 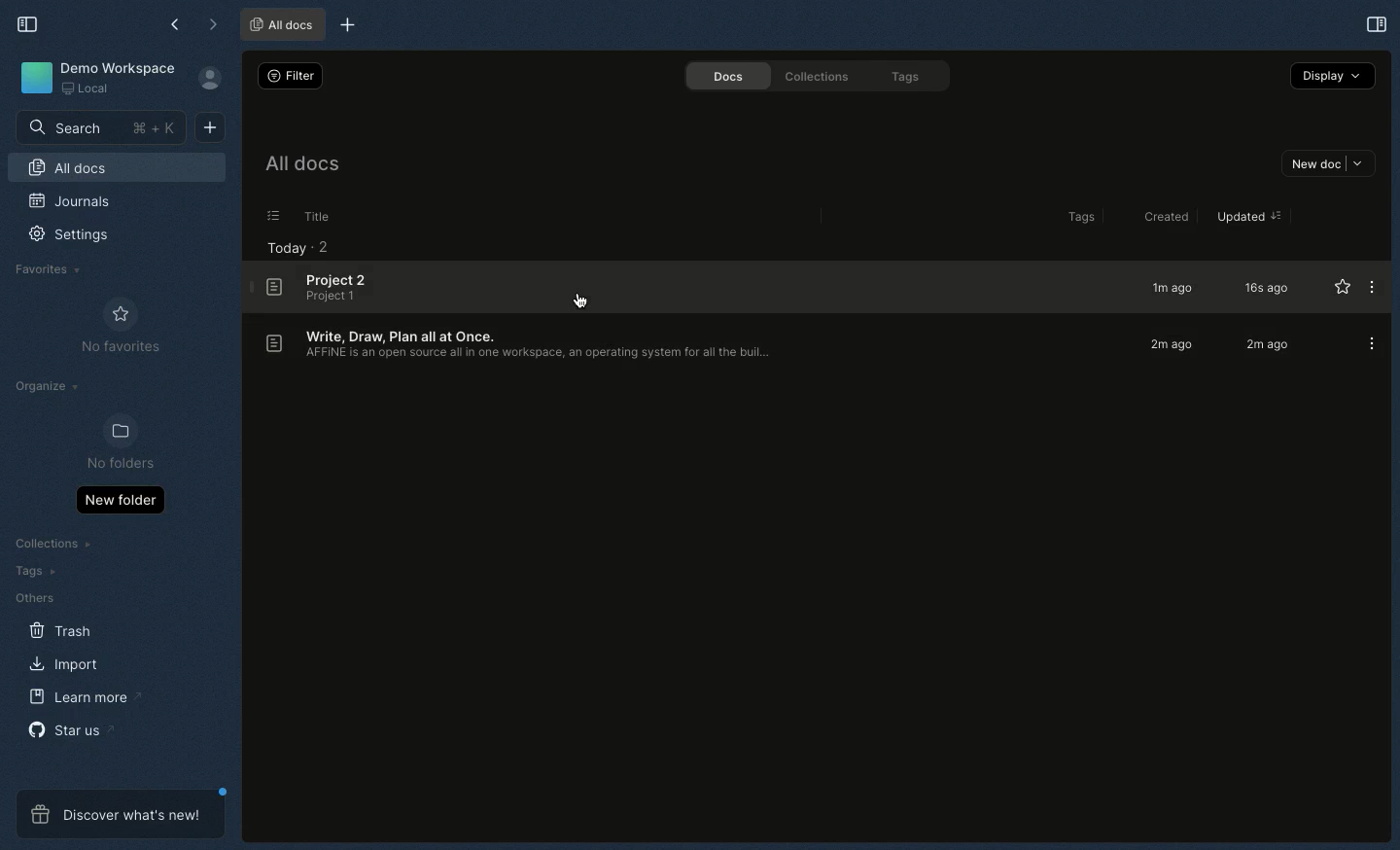 What do you see at coordinates (909, 77) in the screenshot?
I see `Tags` at bounding box center [909, 77].